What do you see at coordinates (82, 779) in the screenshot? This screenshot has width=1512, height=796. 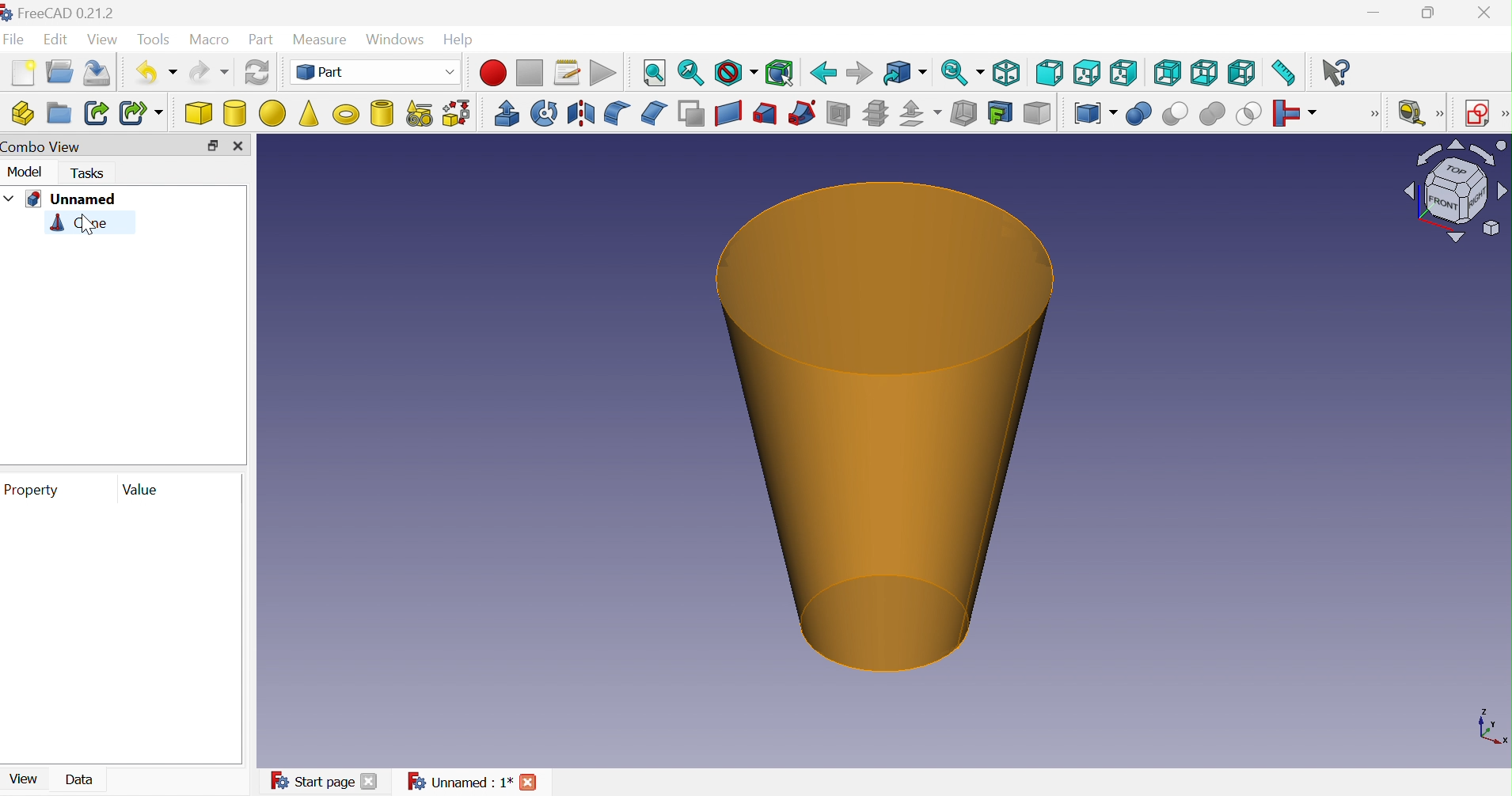 I see `Data` at bounding box center [82, 779].